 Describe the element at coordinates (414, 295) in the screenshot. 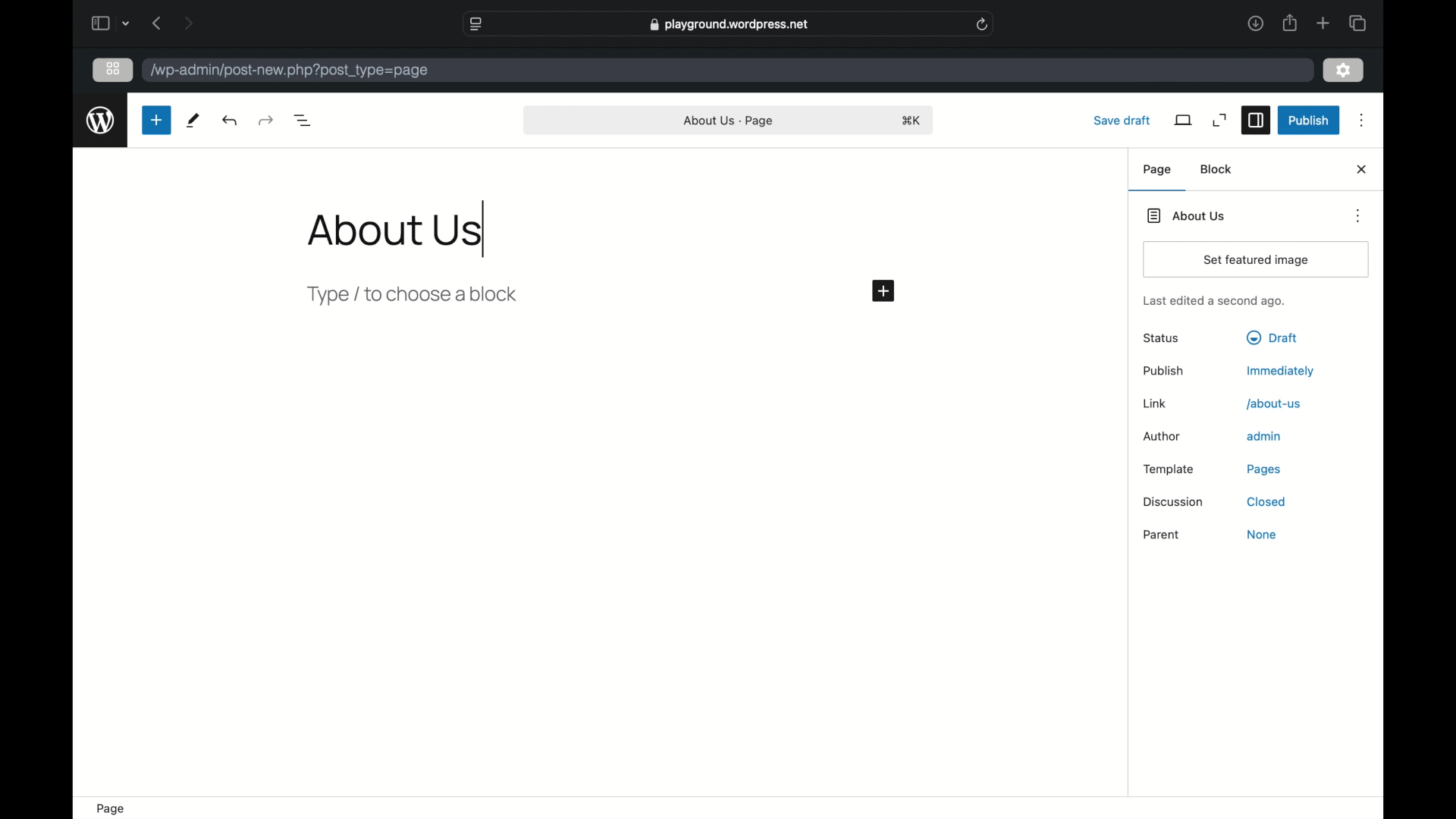

I see `type/ to choose a block` at that location.